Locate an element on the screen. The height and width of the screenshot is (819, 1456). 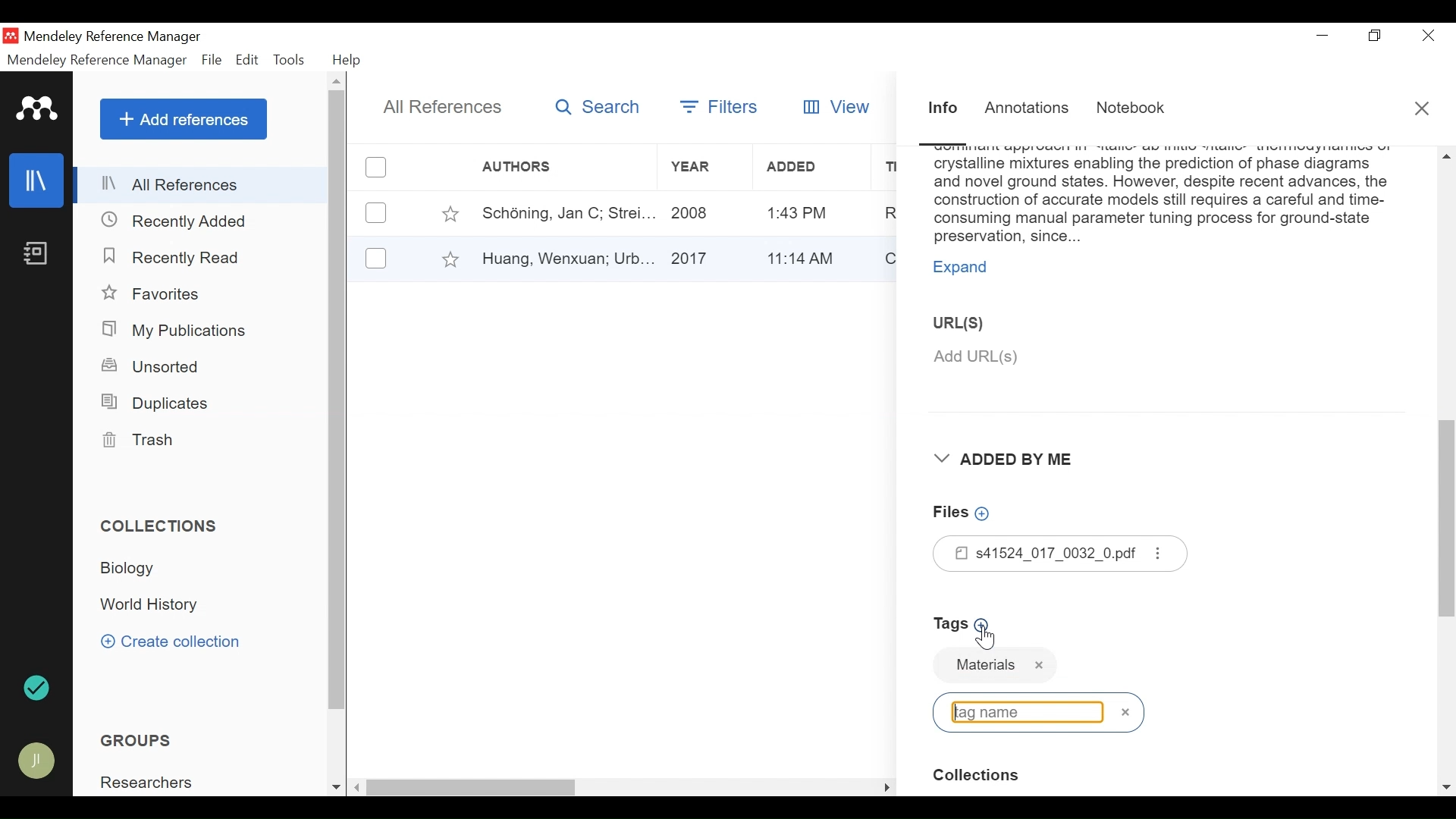
Help is located at coordinates (348, 61).